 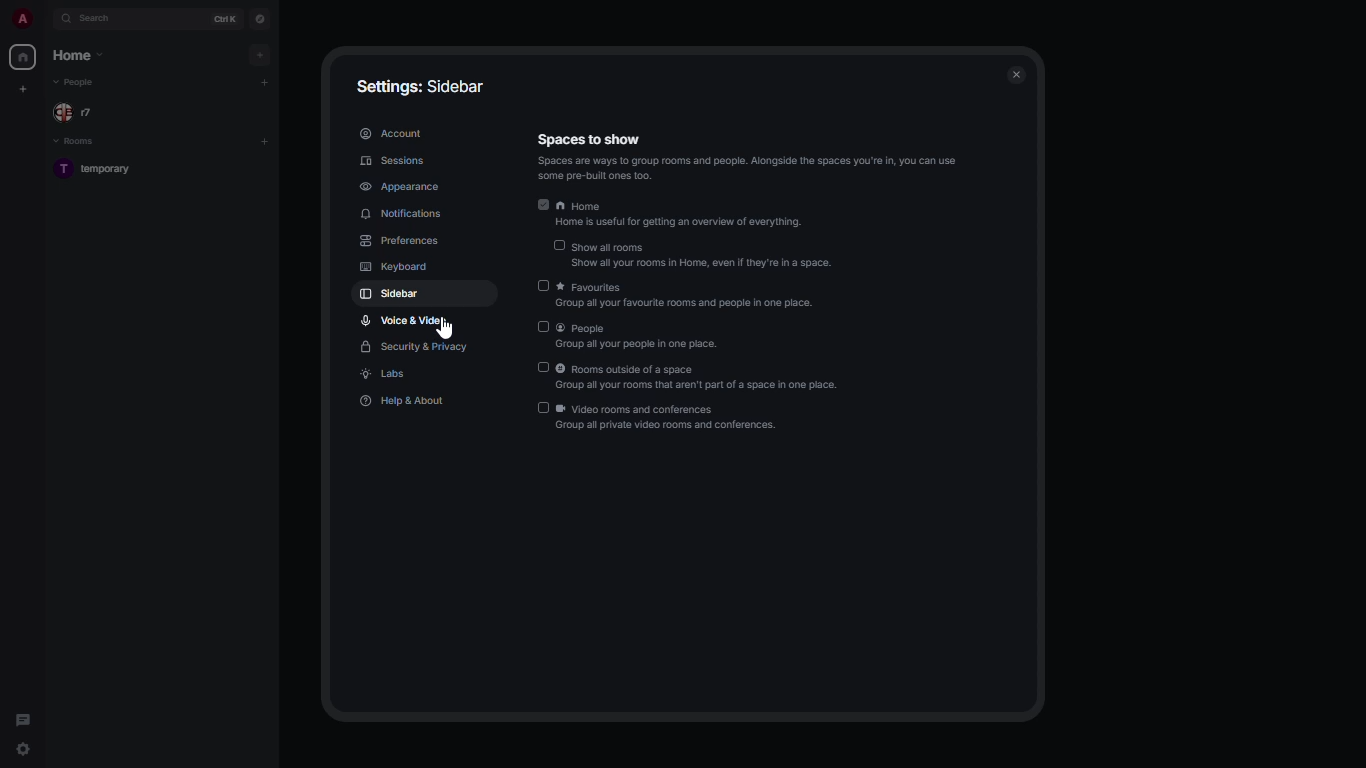 What do you see at coordinates (76, 112) in the screenshot?
I see `people` at bounding box center [76, 112].